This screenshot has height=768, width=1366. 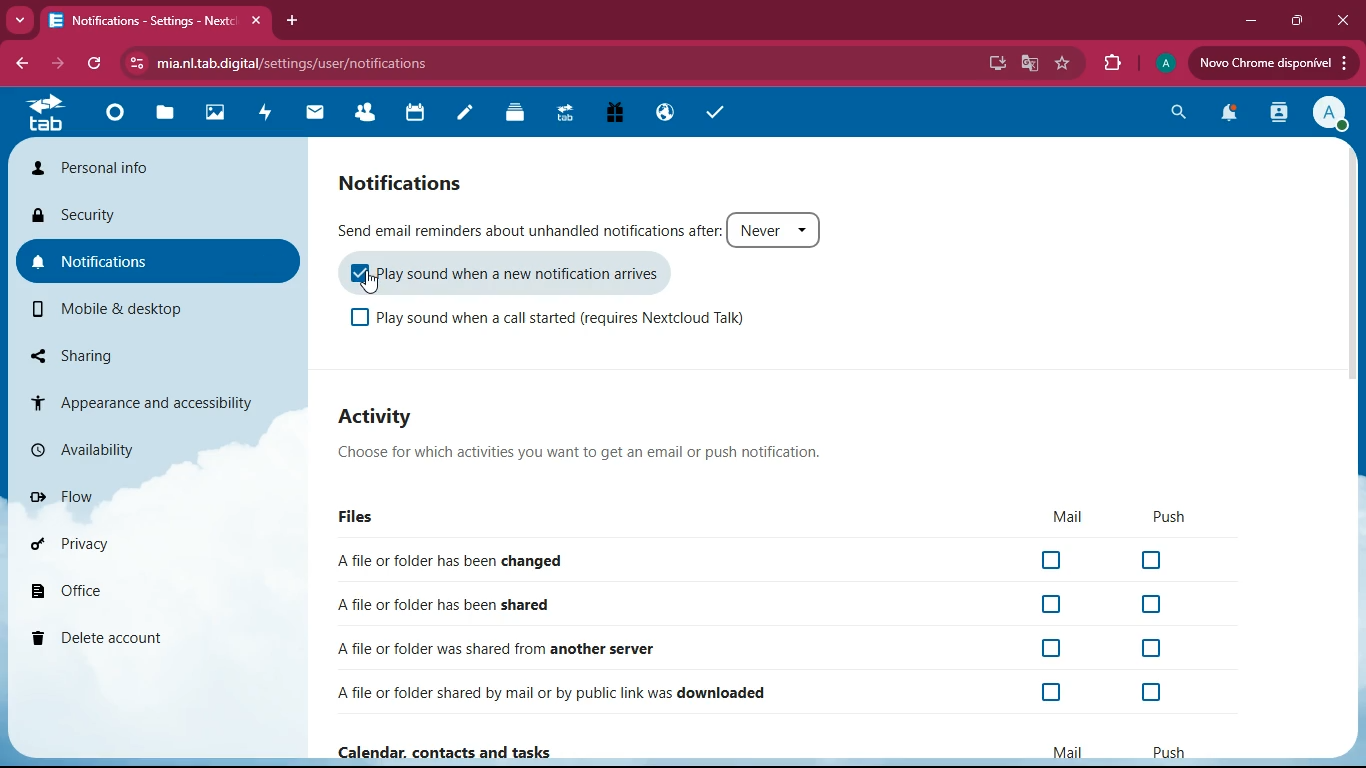 What do you see at coordinates (1054, 649) in the screenshot?
I see `off` at bounding box center [1054, 649].